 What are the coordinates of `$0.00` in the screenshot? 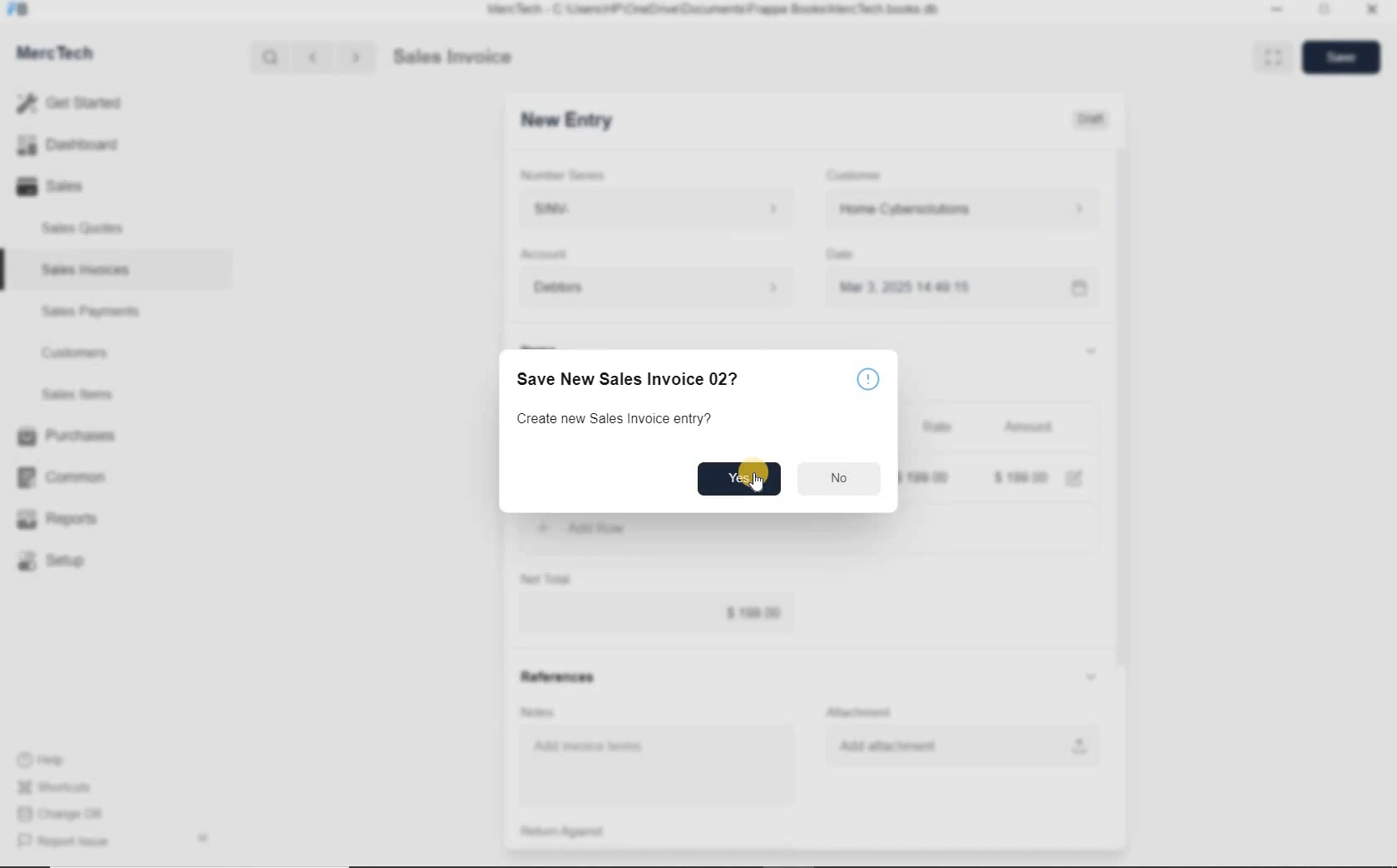 It's located at (657, 614).